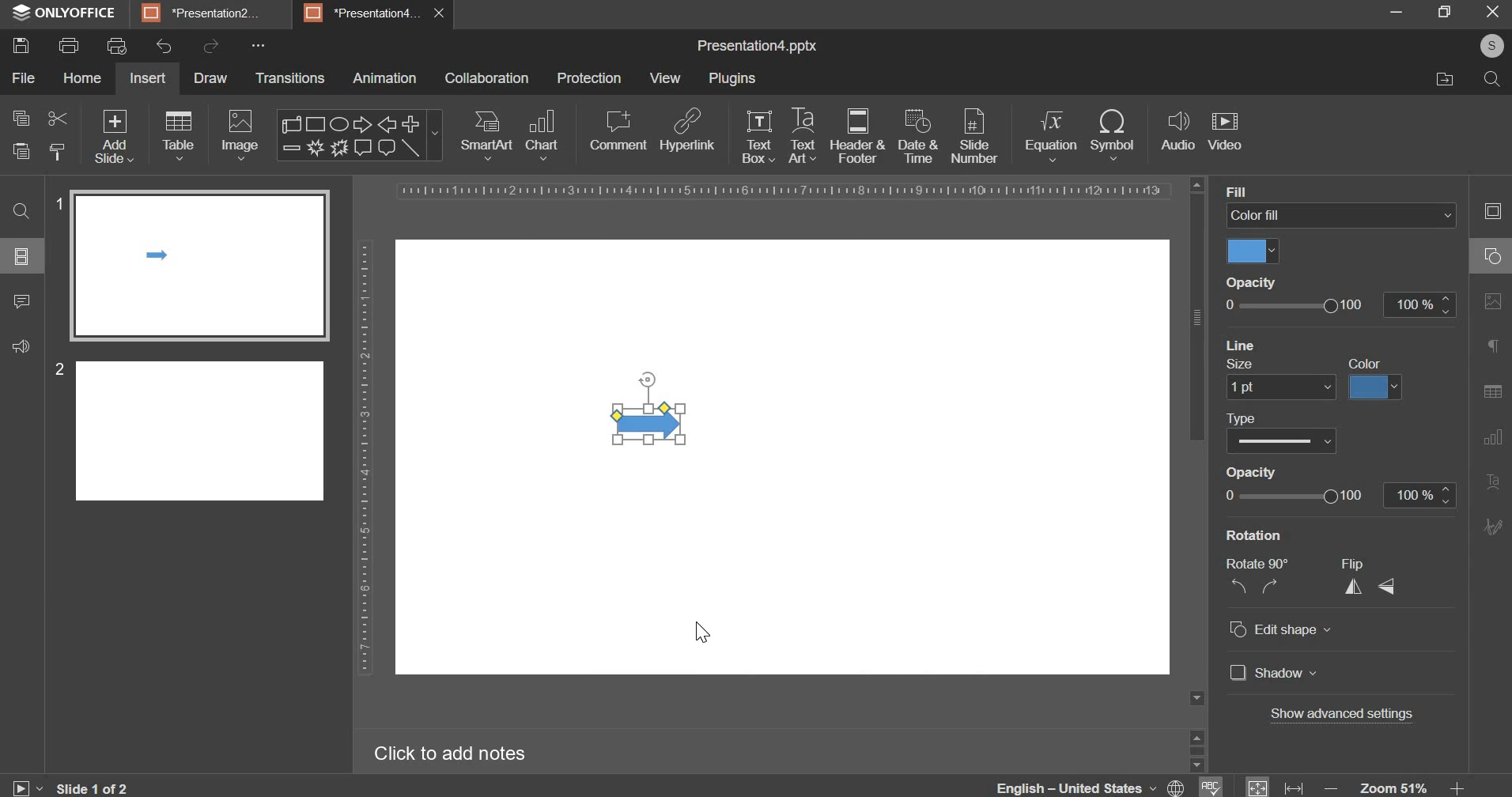 The image size is (1512, 797). Describe the element at coordinates (21, 204) in the screenshot. I see `search` at that location.